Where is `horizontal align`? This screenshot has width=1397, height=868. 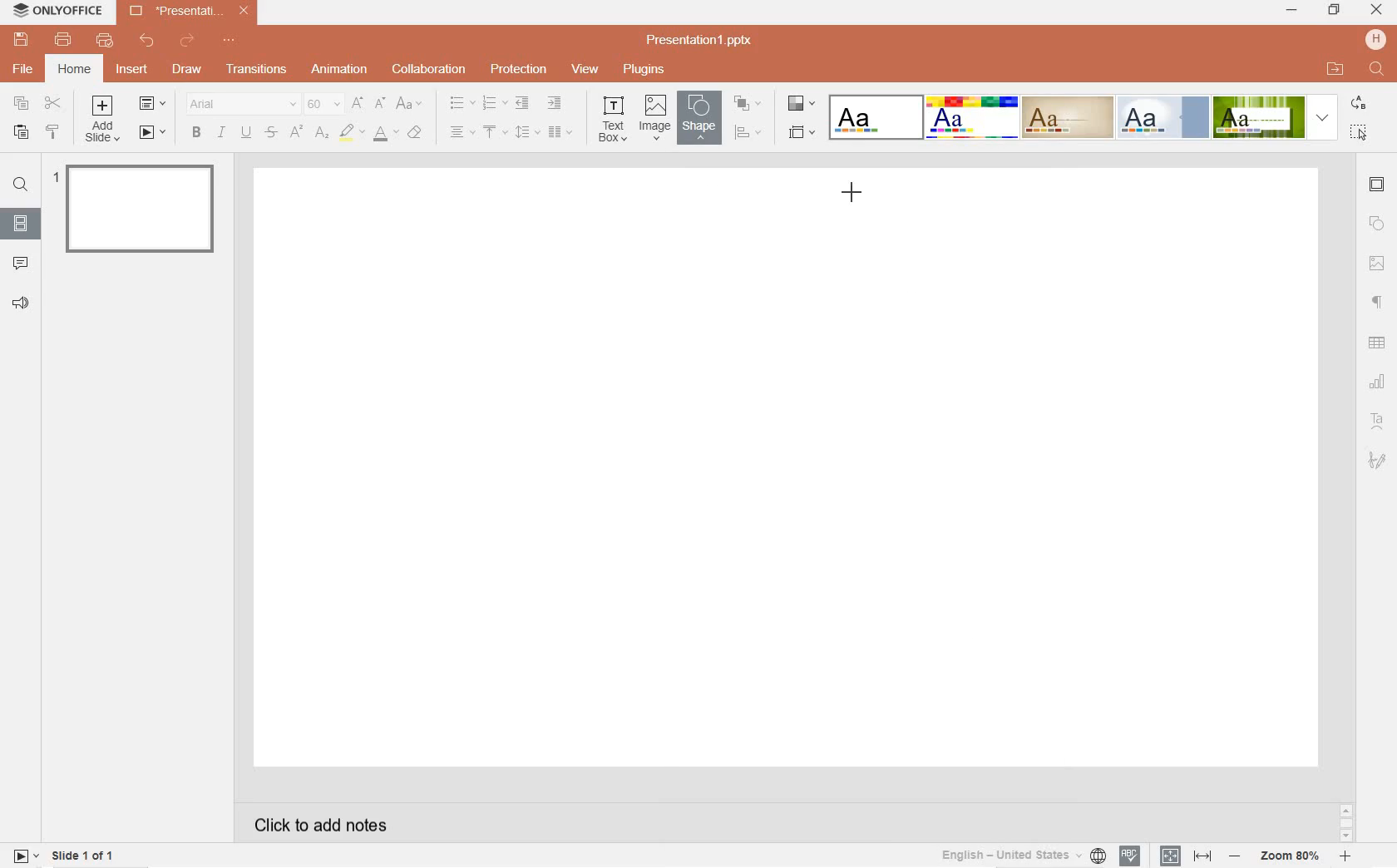
horizontal align is located at coordinates (462, 133).